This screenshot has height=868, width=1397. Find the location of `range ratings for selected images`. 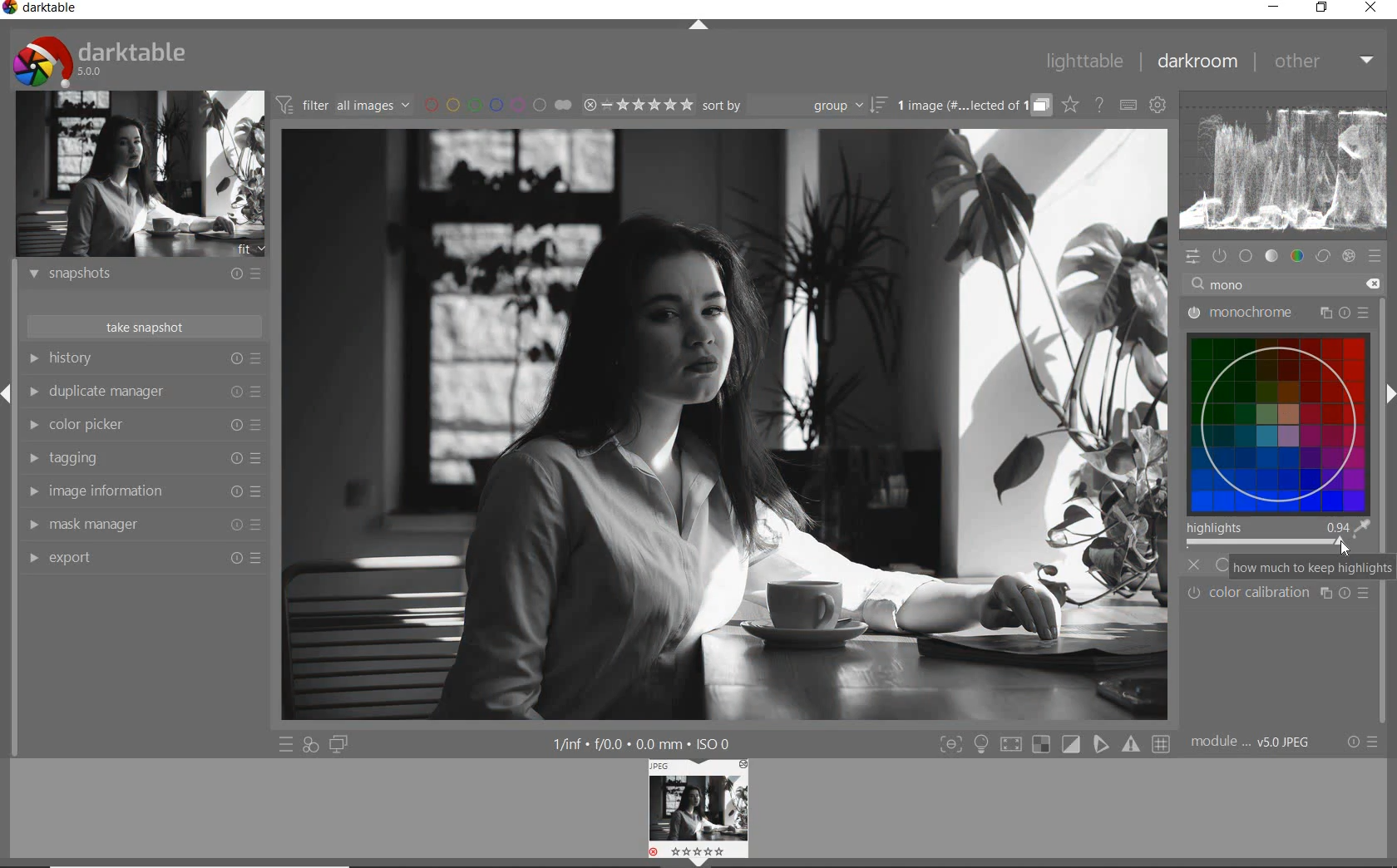

range ratings for selected images is located at coordinates (637, 106).